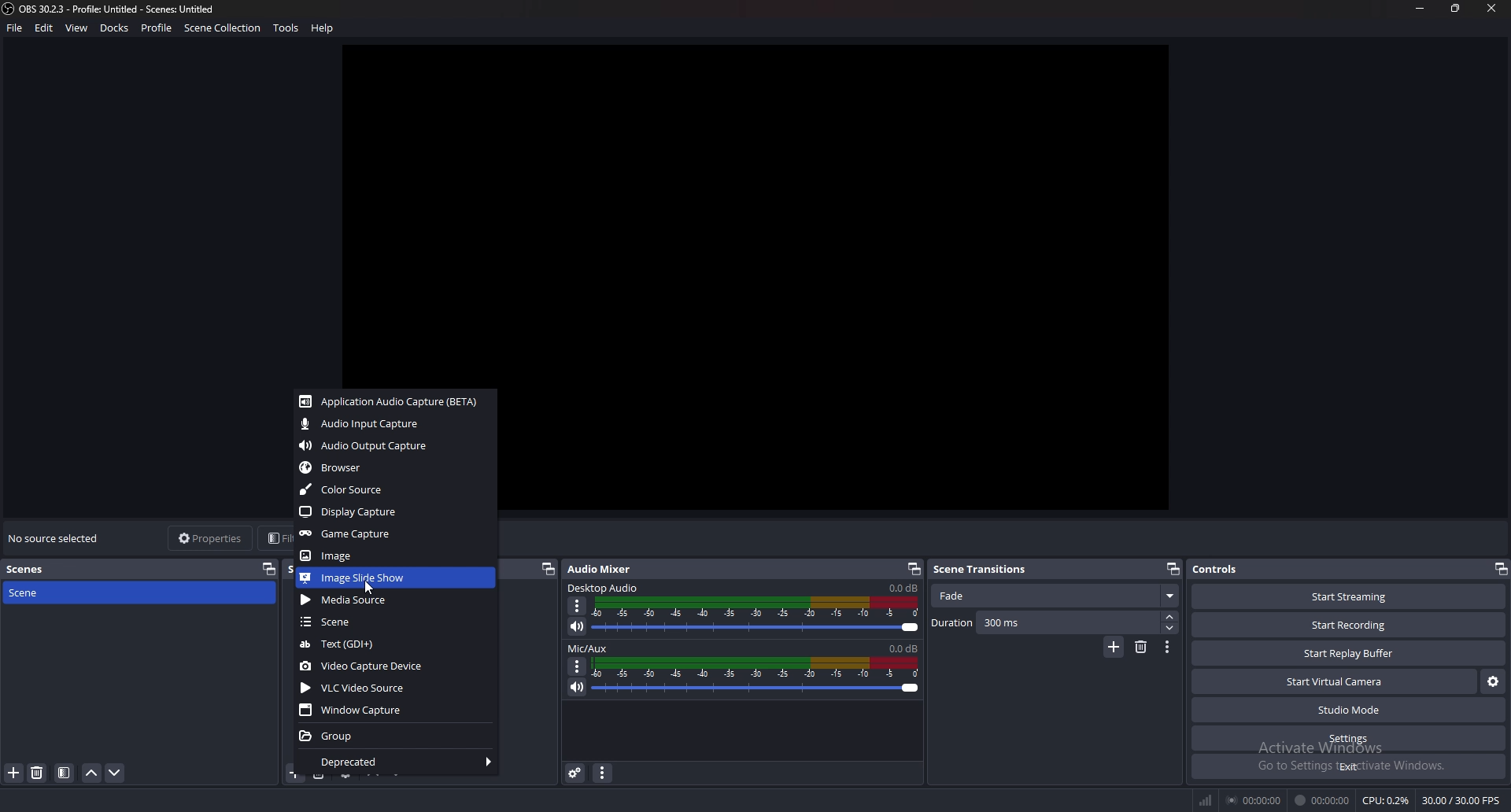 The width and height of the screenshot is (1511, 812). I want to click on studio mode, so click(1347, 710).